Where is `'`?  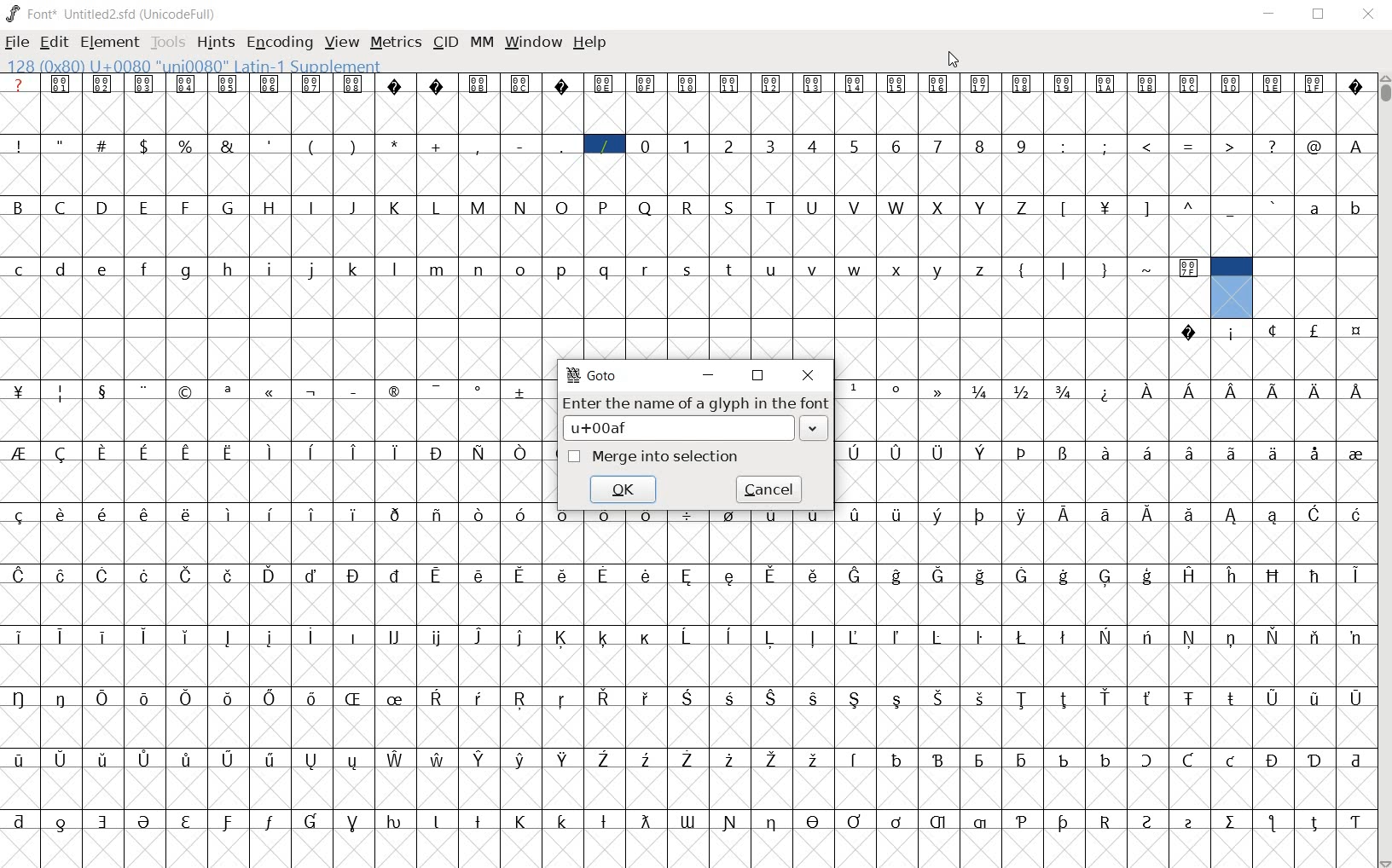
' is located at coordinates (270, 146).